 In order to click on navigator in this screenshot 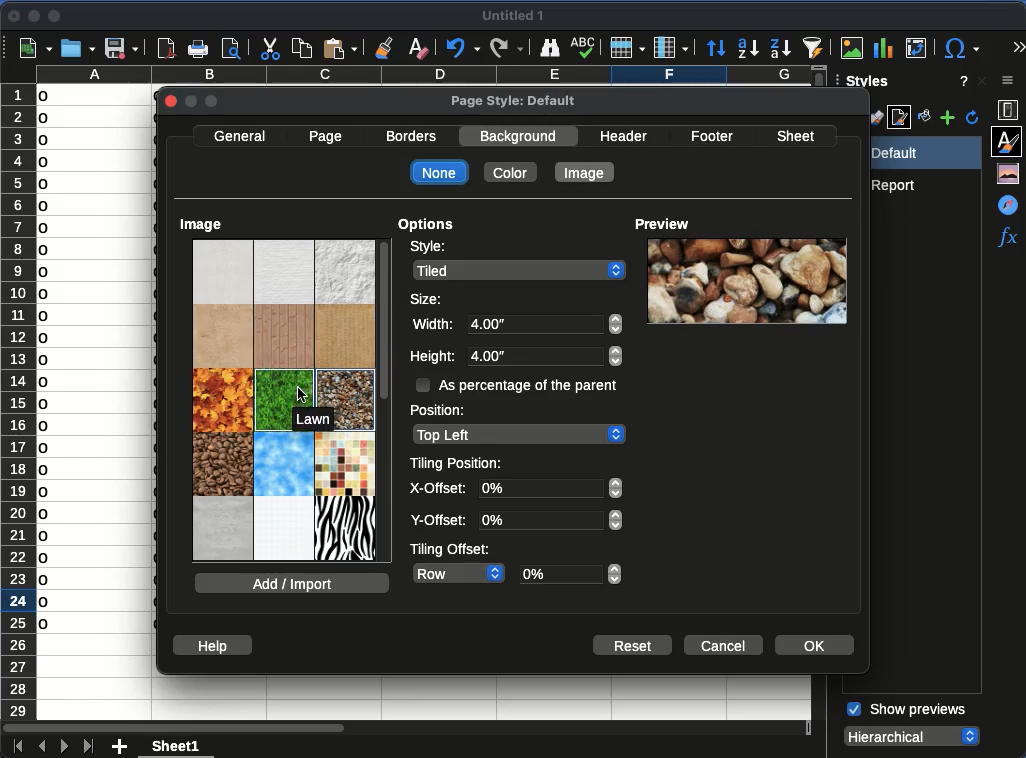, I will do `click(1007, 204)`.